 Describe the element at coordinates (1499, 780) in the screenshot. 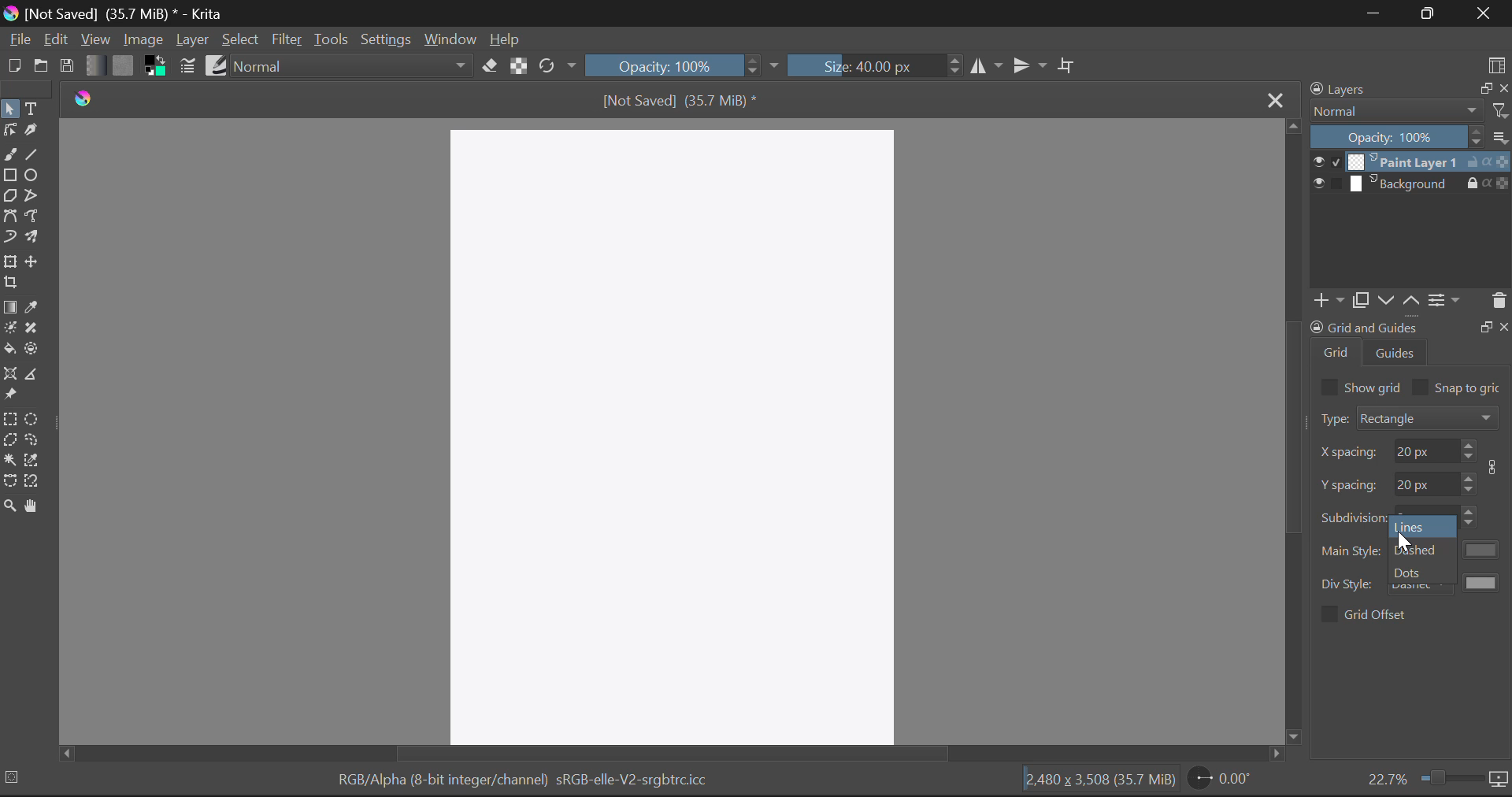

I see `icon` at that location.